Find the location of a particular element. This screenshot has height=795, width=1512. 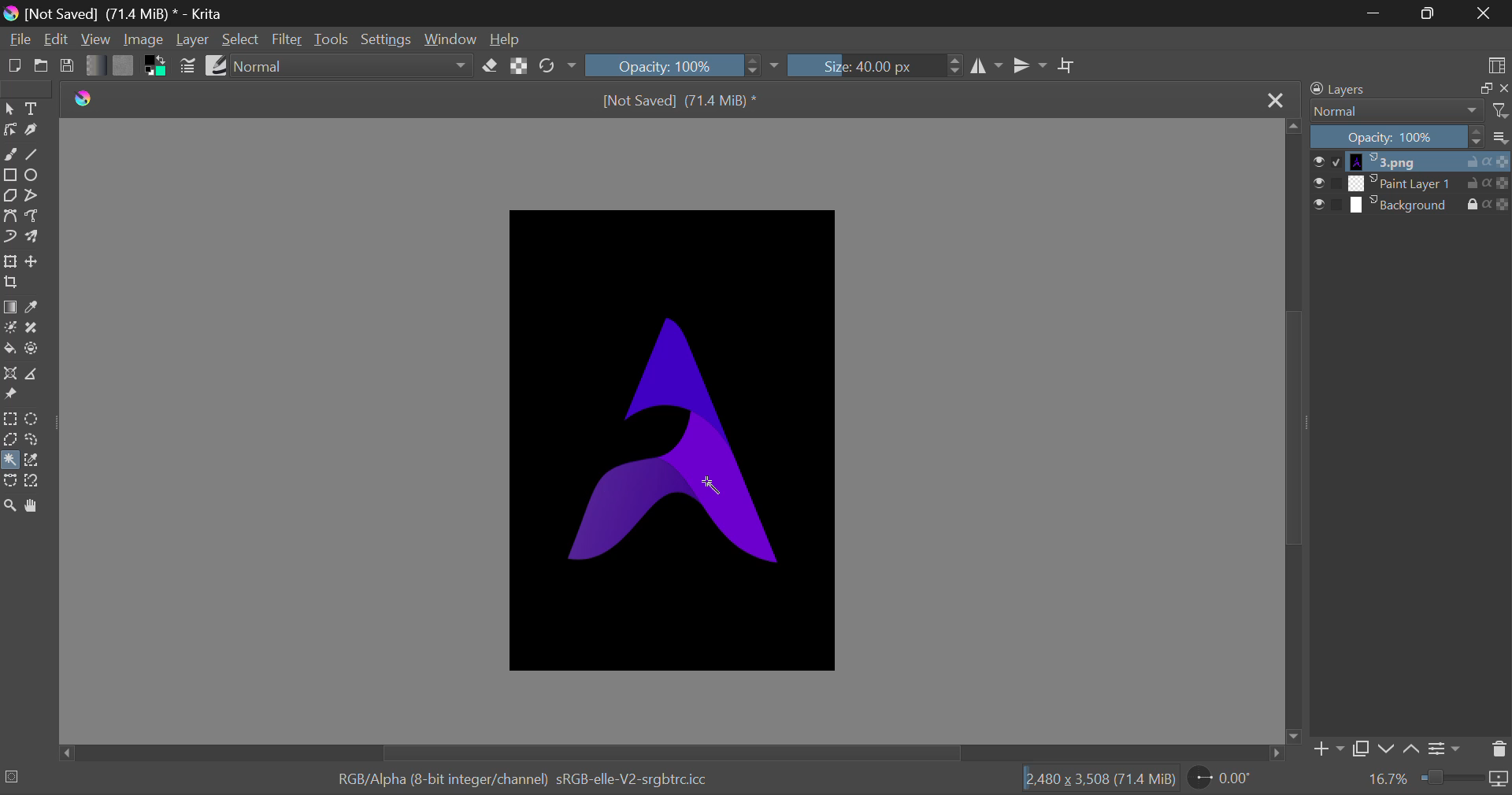

Close is located at coordinates (1273, 104).